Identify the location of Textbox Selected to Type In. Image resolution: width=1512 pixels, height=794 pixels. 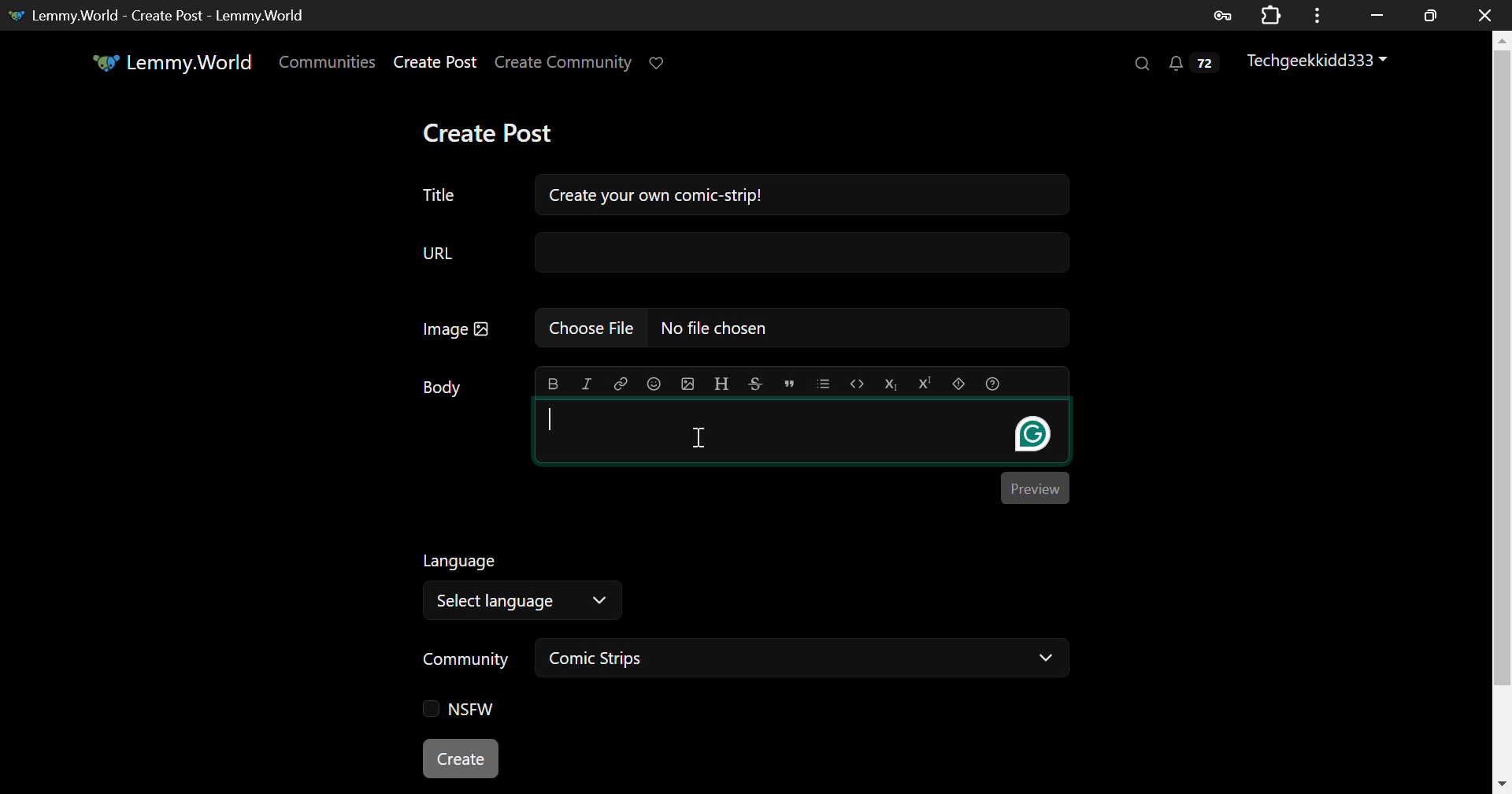
(802, 433).